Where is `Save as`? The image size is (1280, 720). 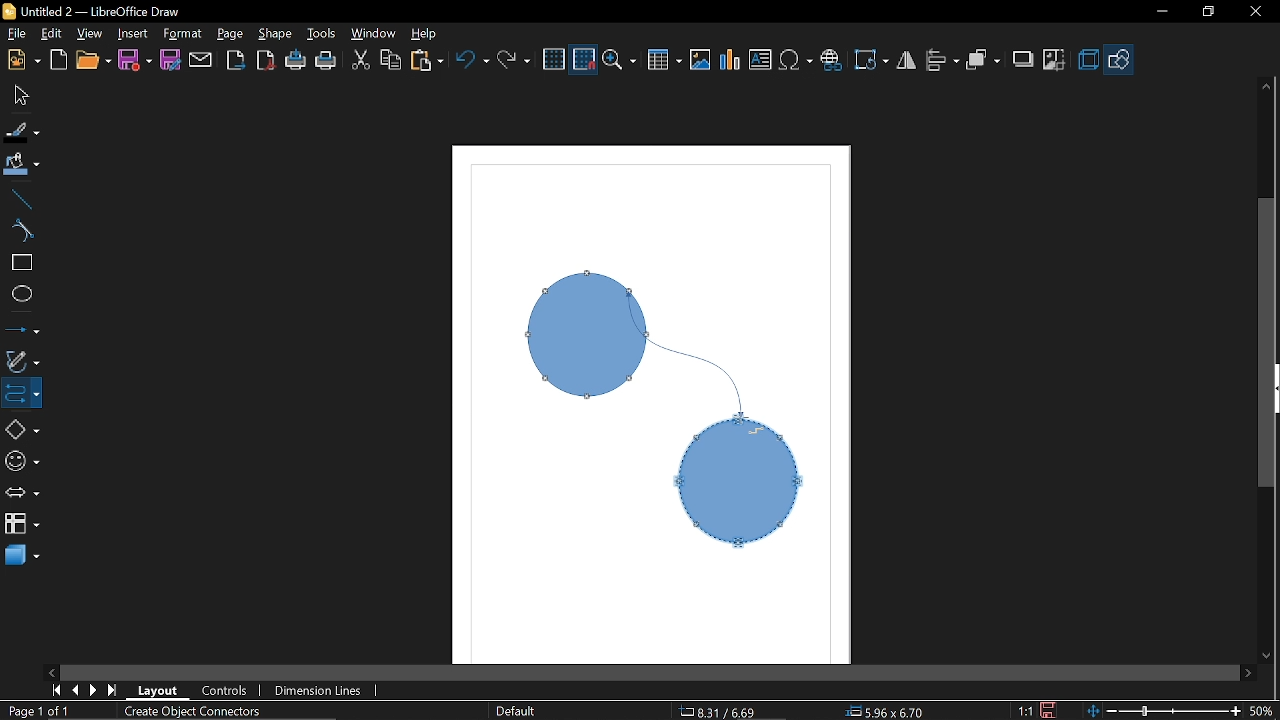 Save as is located at coordinates (170, 59).